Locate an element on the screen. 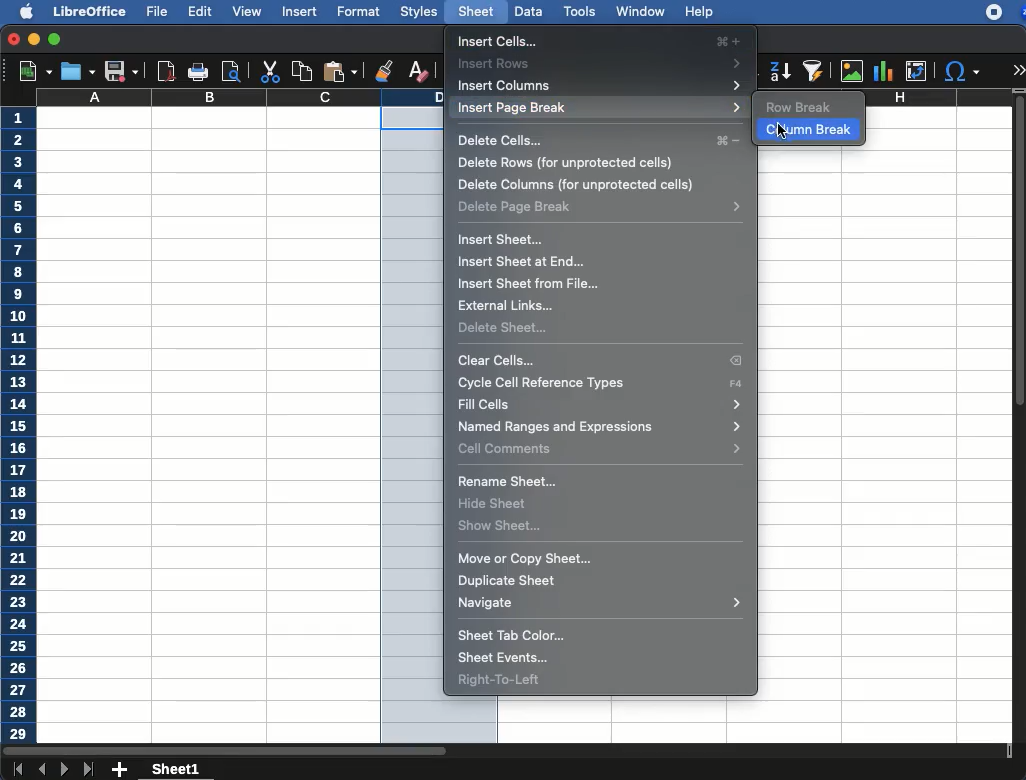 The width and height of the screenshot is (1026, 780). close is located at coordinates (13, 39).